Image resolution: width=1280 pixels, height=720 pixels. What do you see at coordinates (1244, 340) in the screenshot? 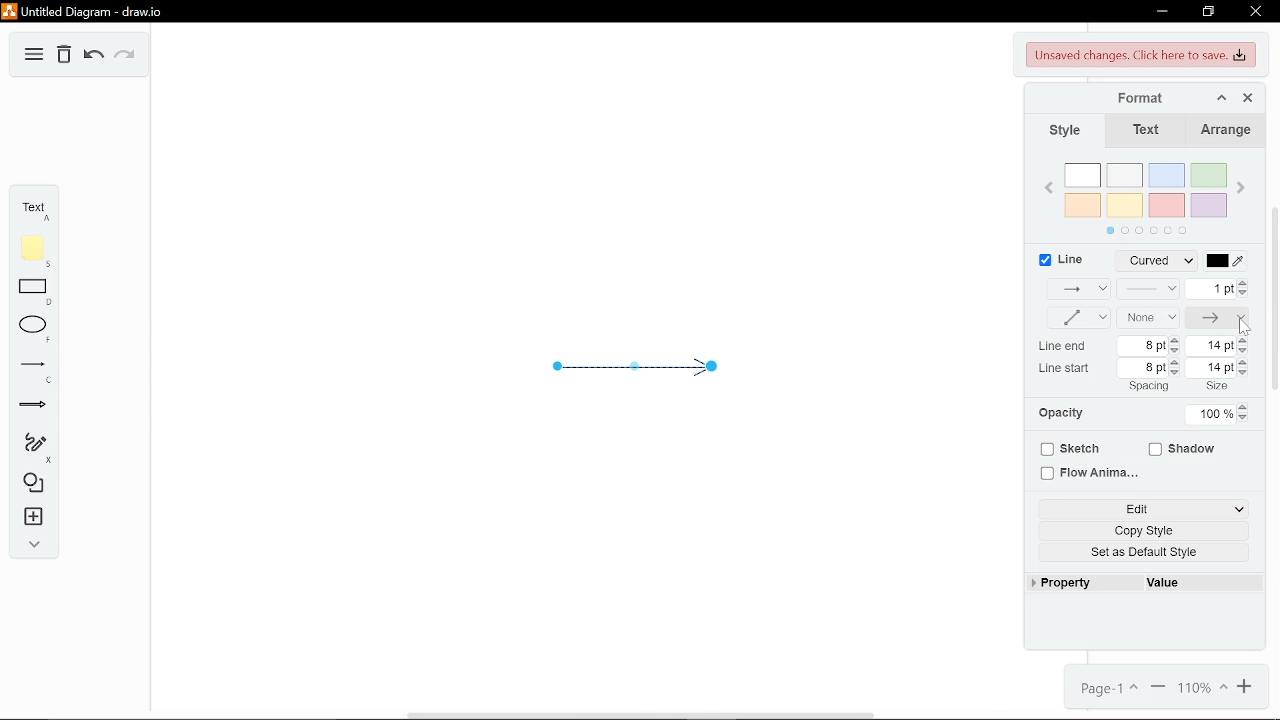
I see `Increase line end Size` at bounding box center [1244, 340].